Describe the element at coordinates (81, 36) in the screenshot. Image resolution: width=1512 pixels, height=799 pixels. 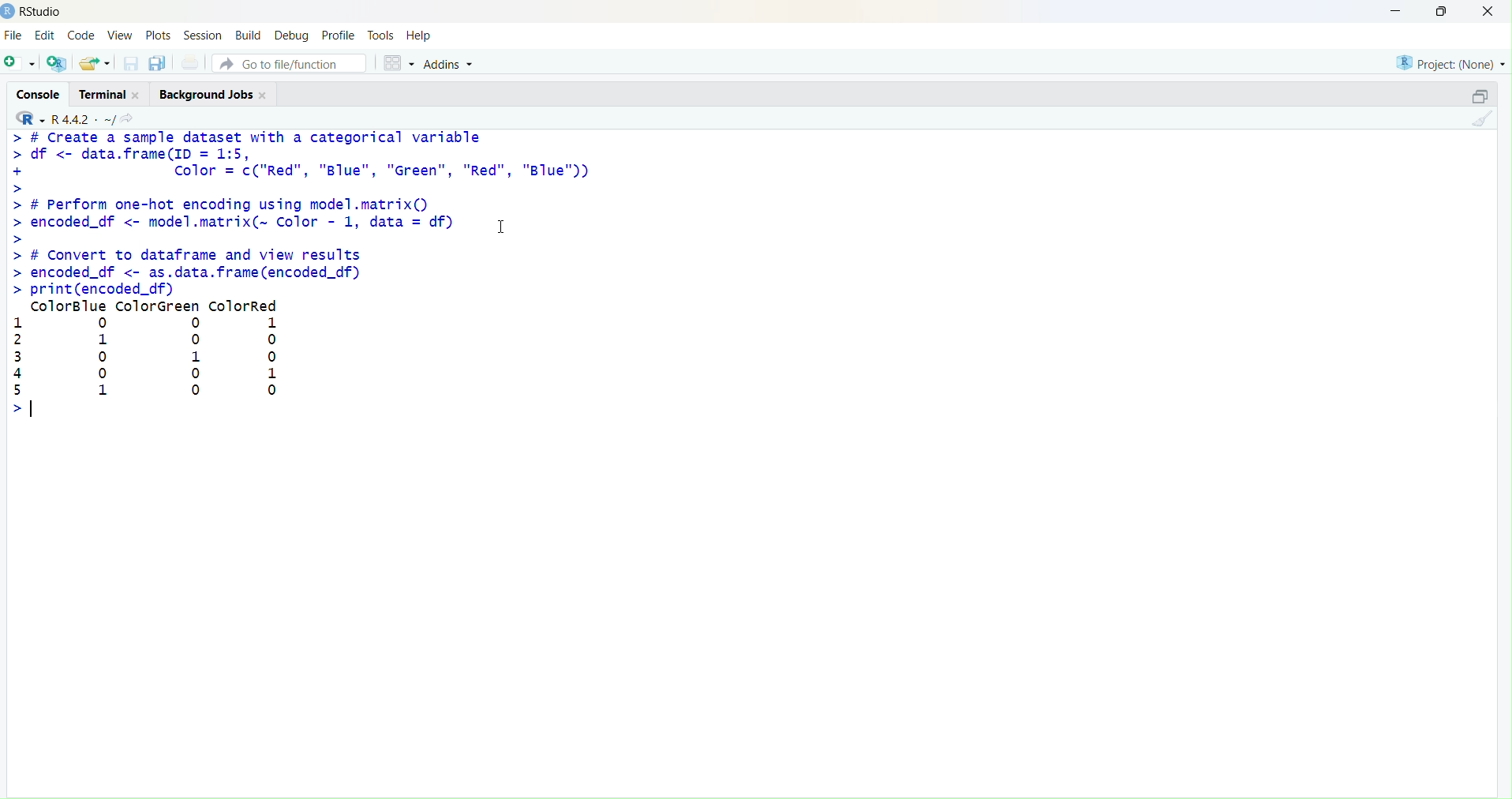
I see `code` at that location.